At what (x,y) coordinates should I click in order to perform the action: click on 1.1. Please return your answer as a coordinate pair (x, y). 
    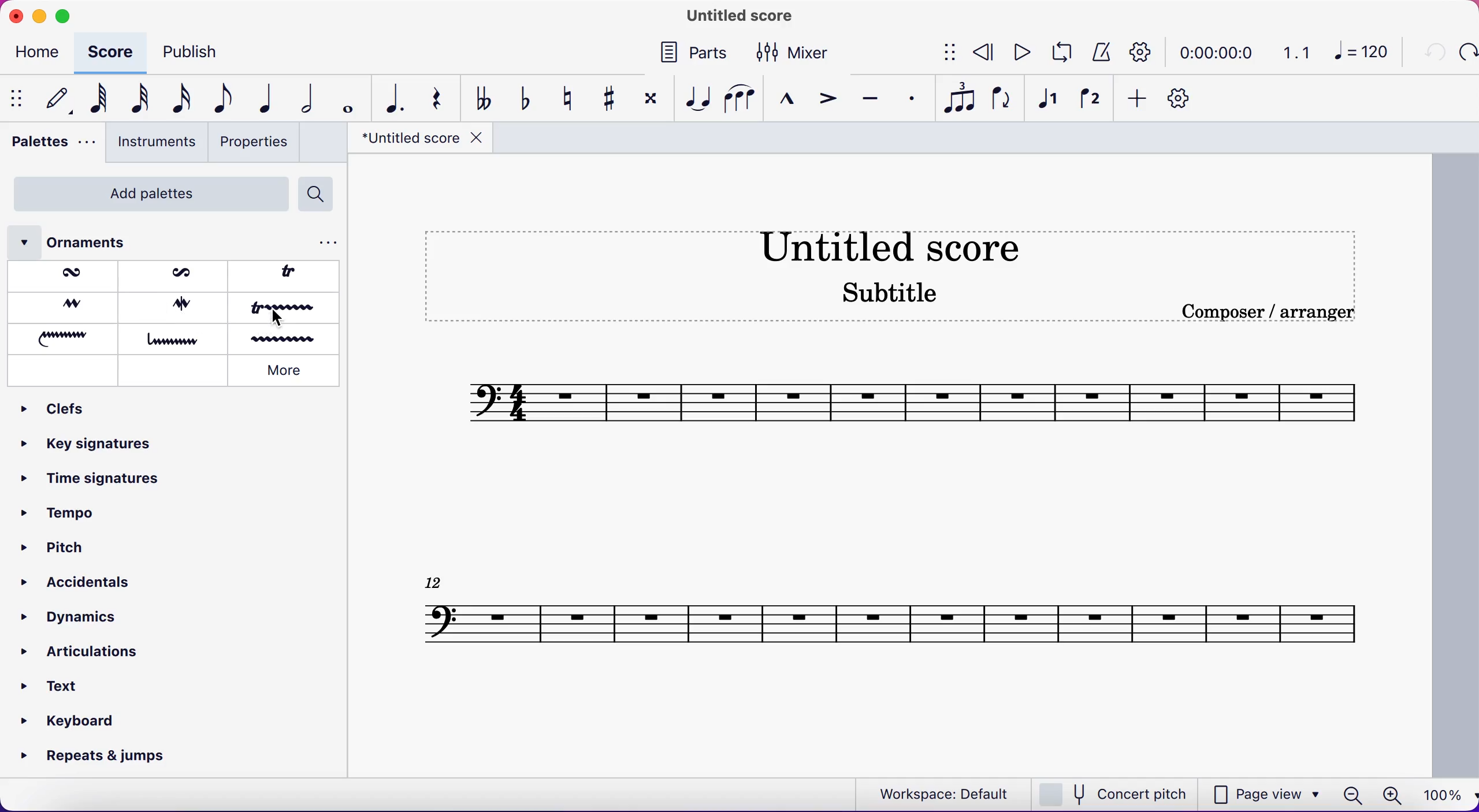
    Looking at the image, I should click on (1298, 52).